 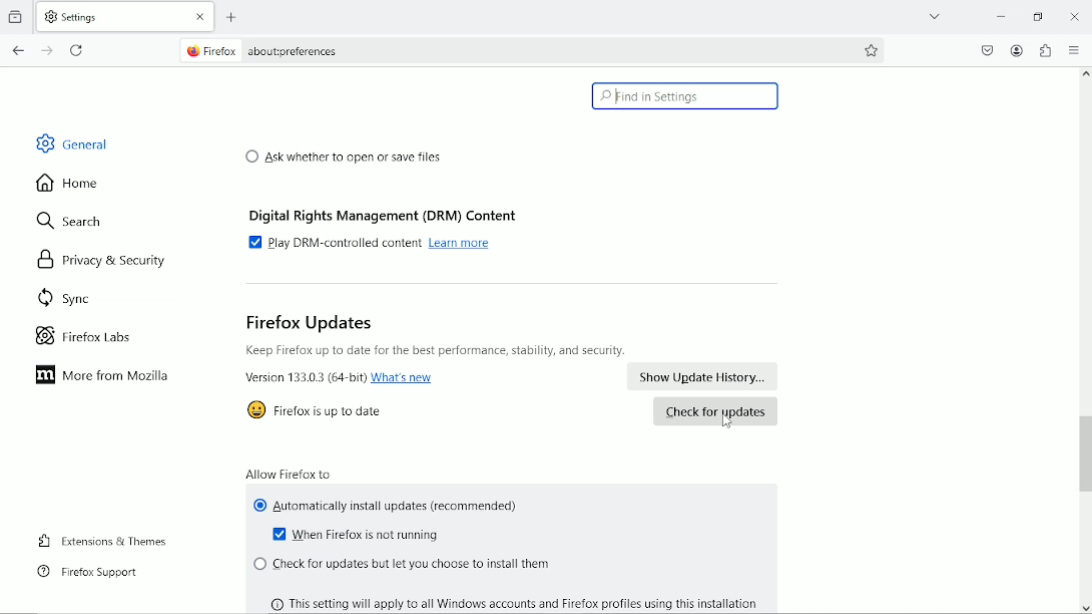 What do you see at coordinates (81, 16) in the screenshot?
I see `Settings` at bounding box center [81, 16].